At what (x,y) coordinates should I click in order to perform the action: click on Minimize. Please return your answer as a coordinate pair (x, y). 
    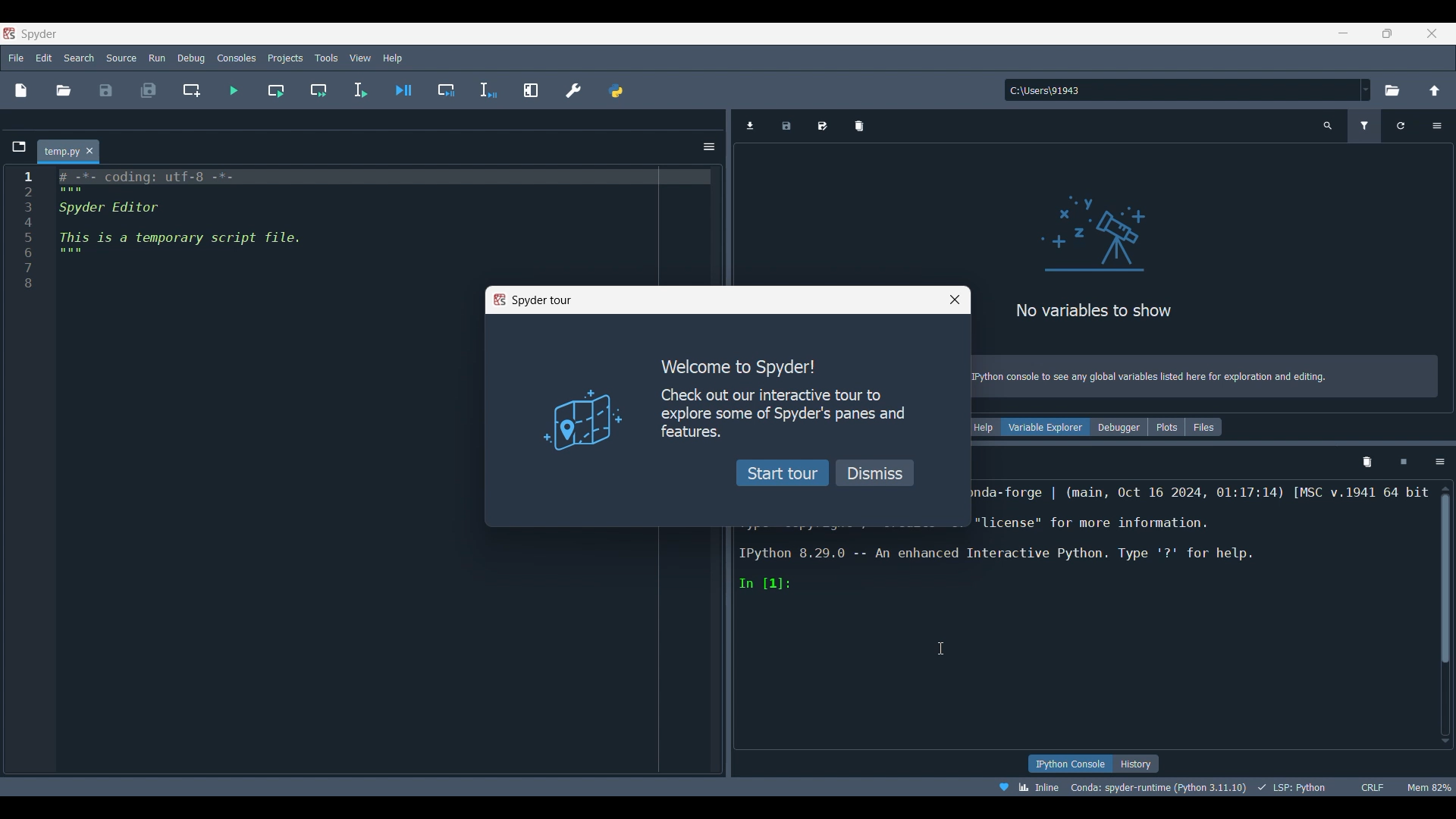
    Looking at the image, I should click on (1344, 33).